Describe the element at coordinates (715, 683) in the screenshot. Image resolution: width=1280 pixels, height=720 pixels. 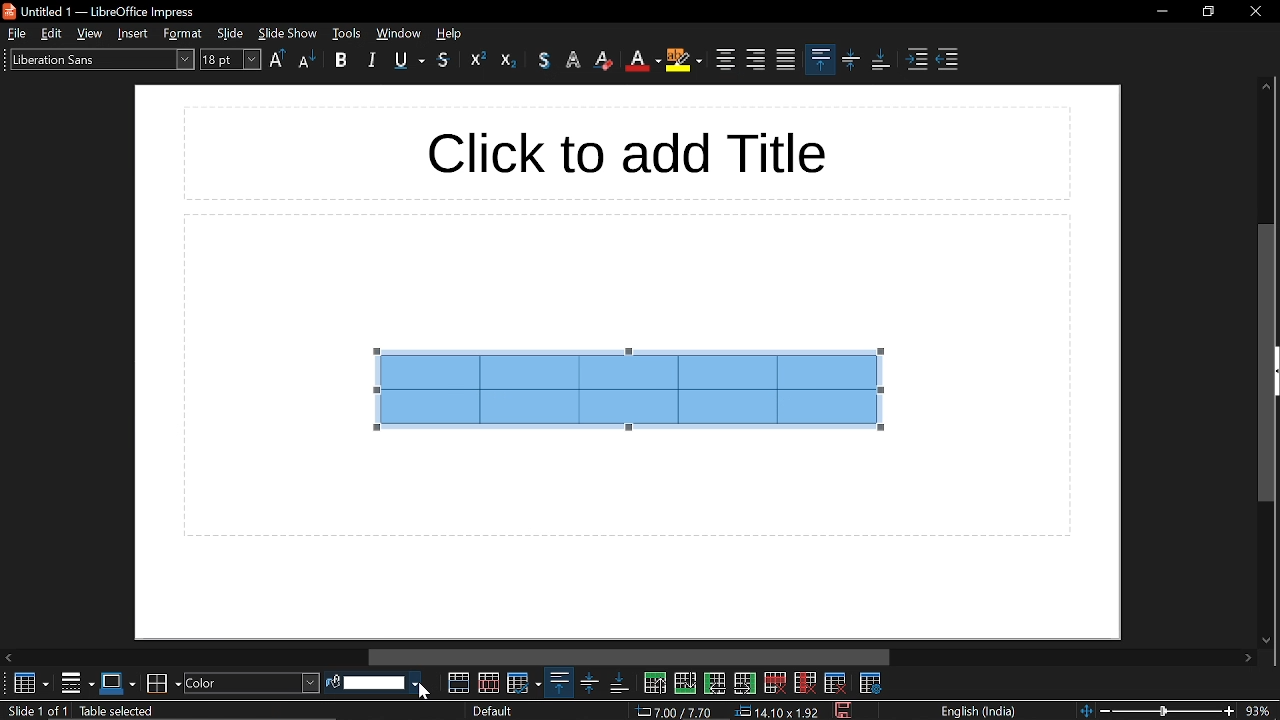
I see `insert column before` at that location.